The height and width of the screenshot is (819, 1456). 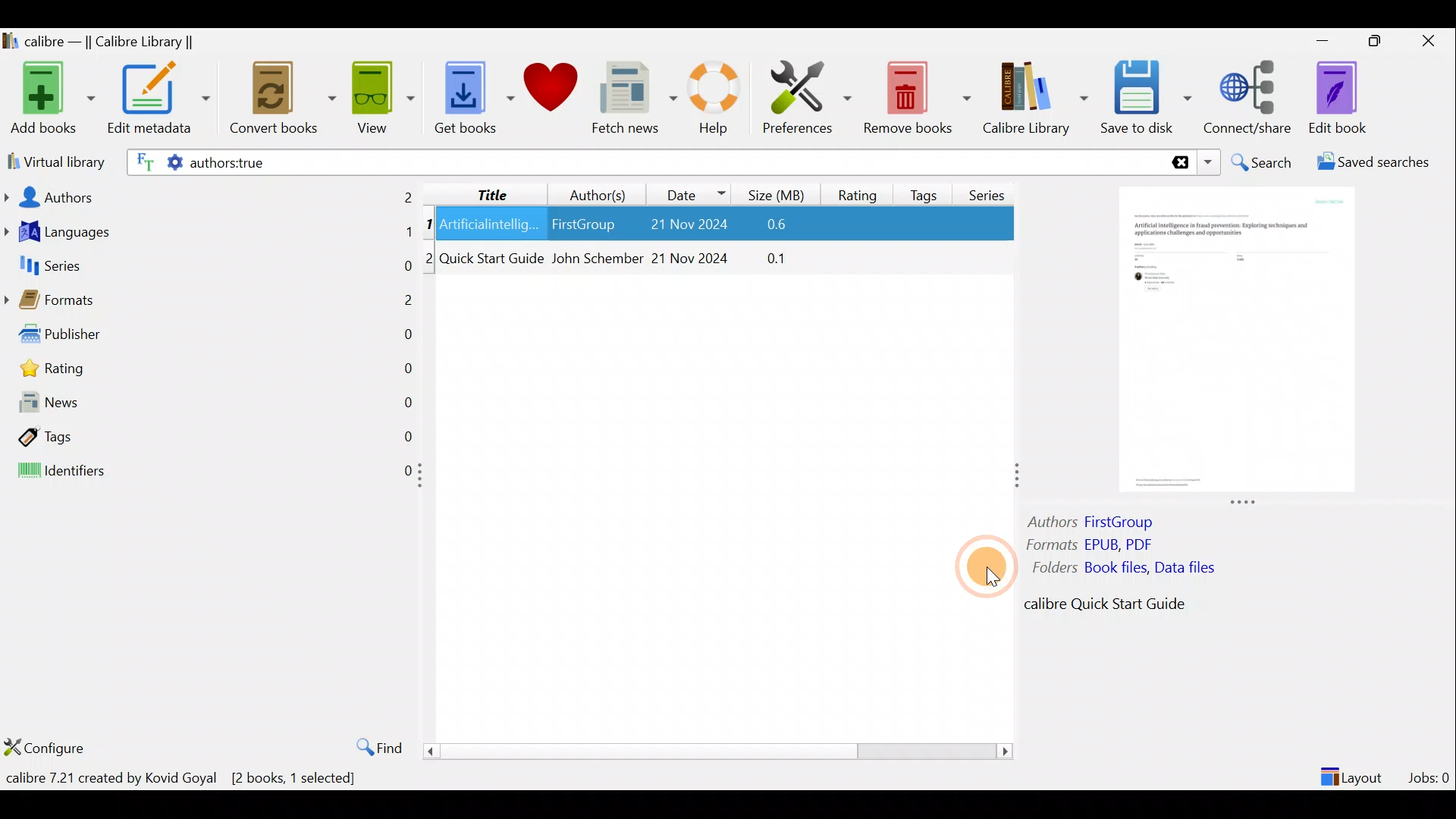 I want to click on Scroll bar, so click(x=714, y=751).